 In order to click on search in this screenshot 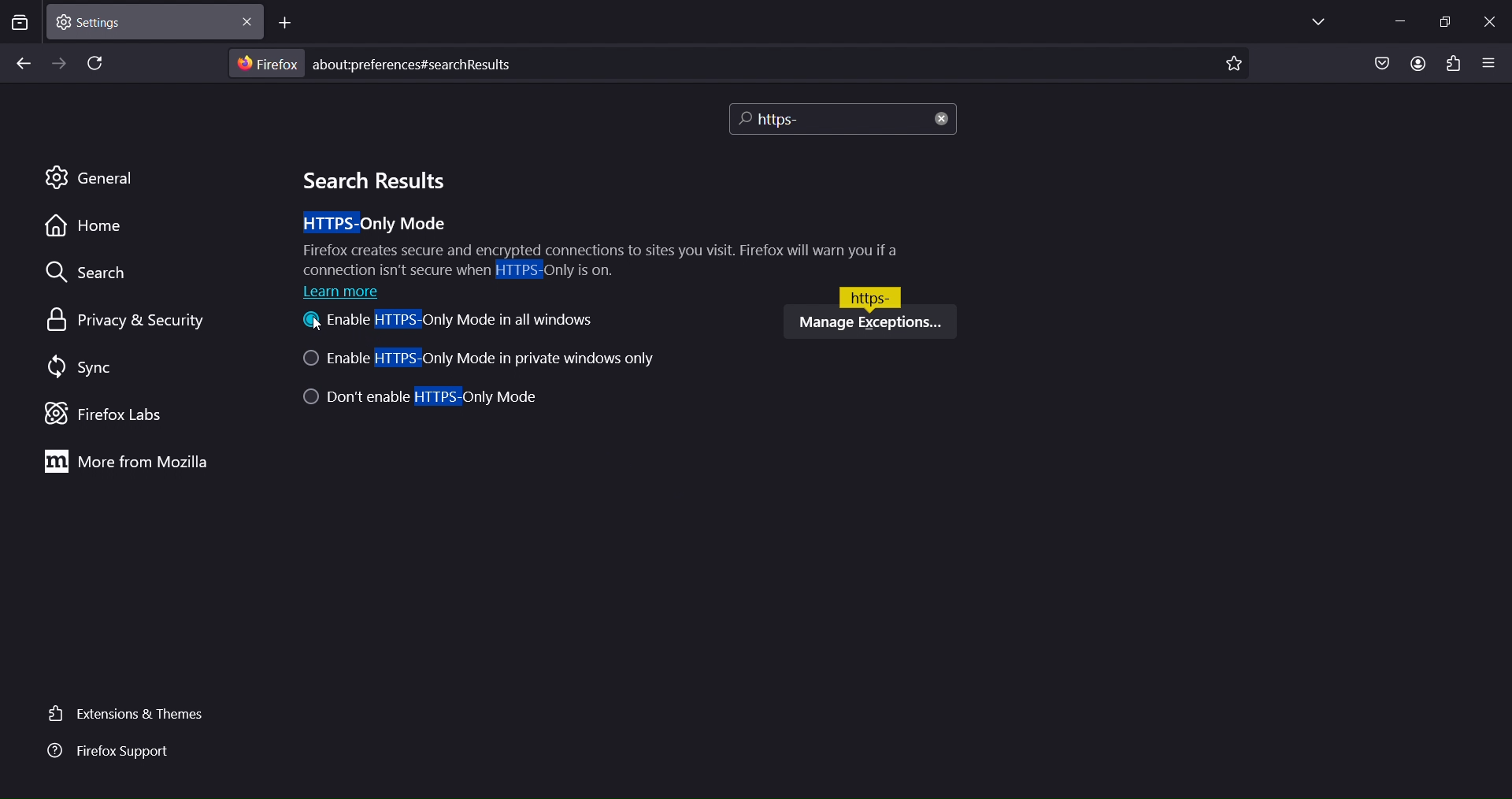, I will do `click(94, 272)`.